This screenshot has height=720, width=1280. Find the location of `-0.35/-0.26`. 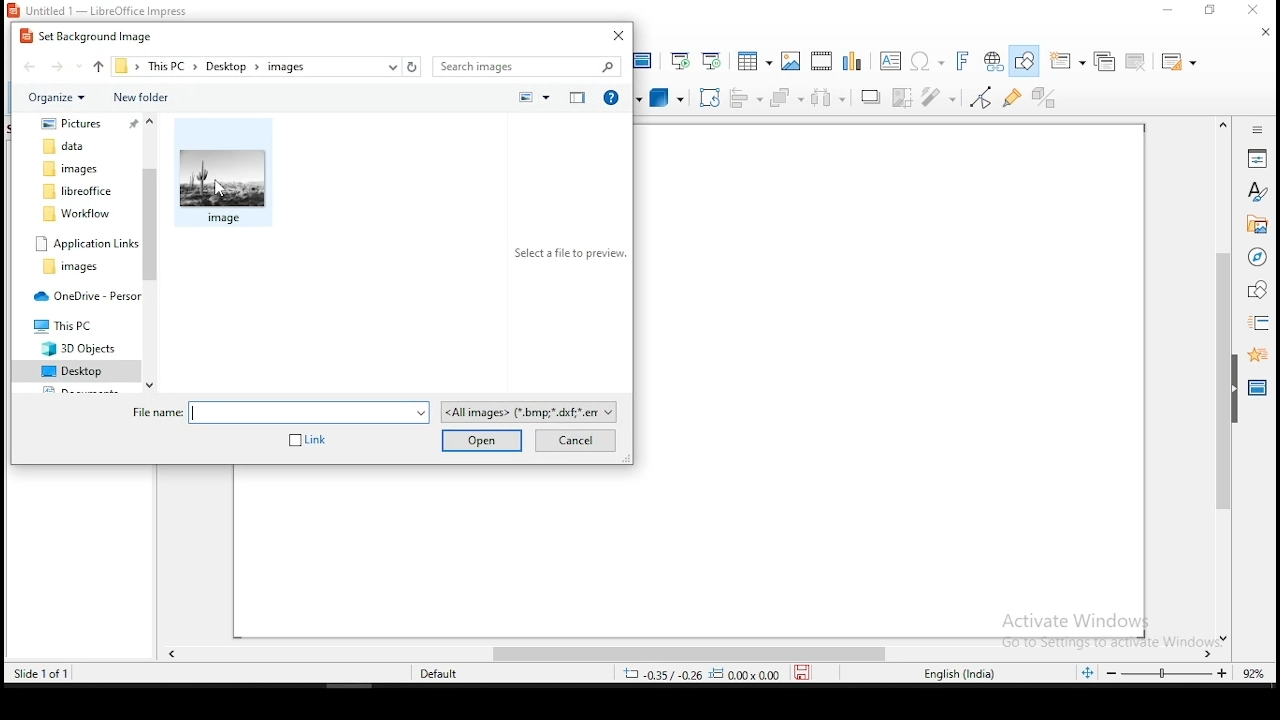

-0.35/-0.26 is located at coordinates (661, 673).